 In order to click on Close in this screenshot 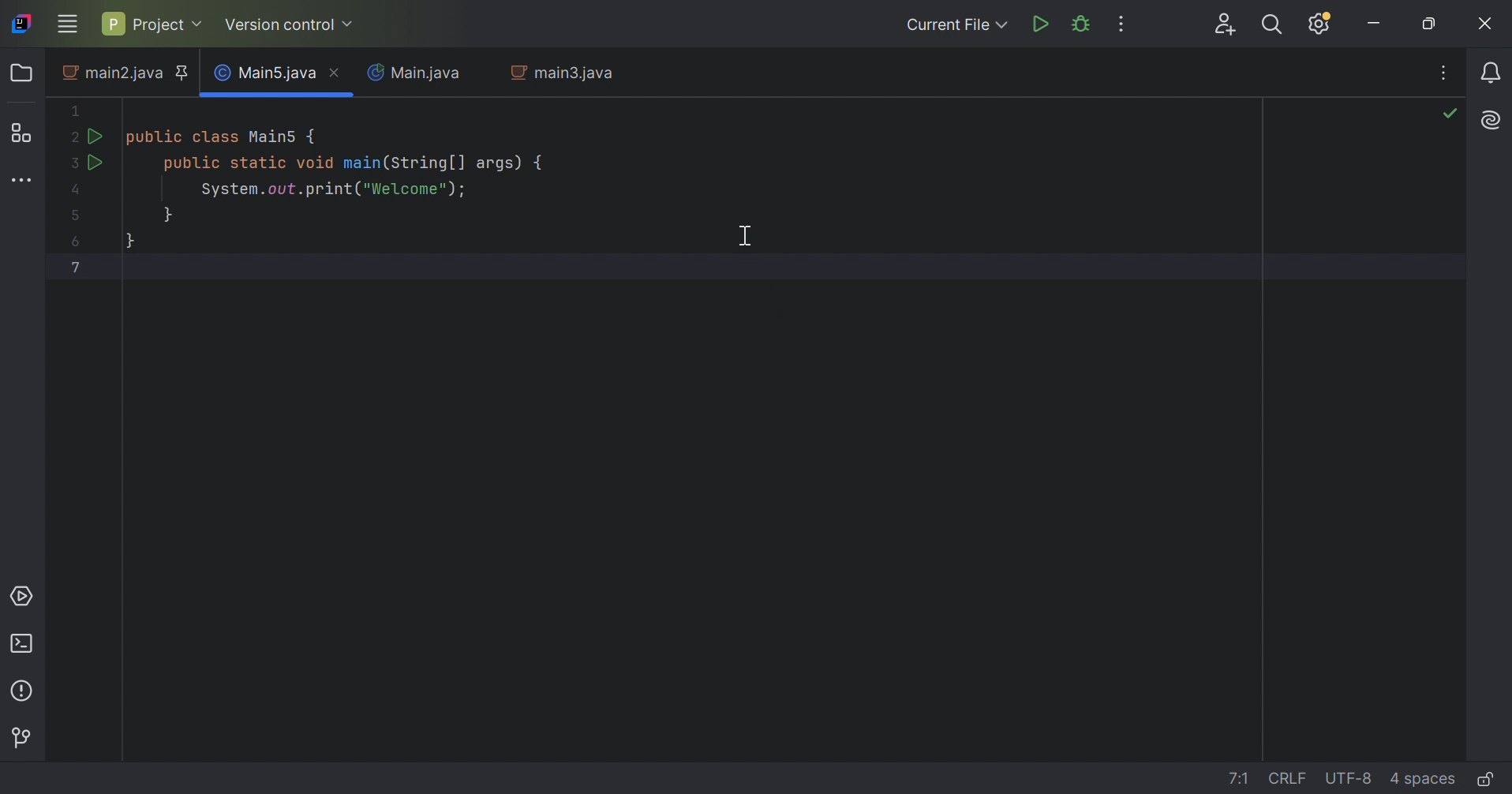, I will do `click(632, 73)`.